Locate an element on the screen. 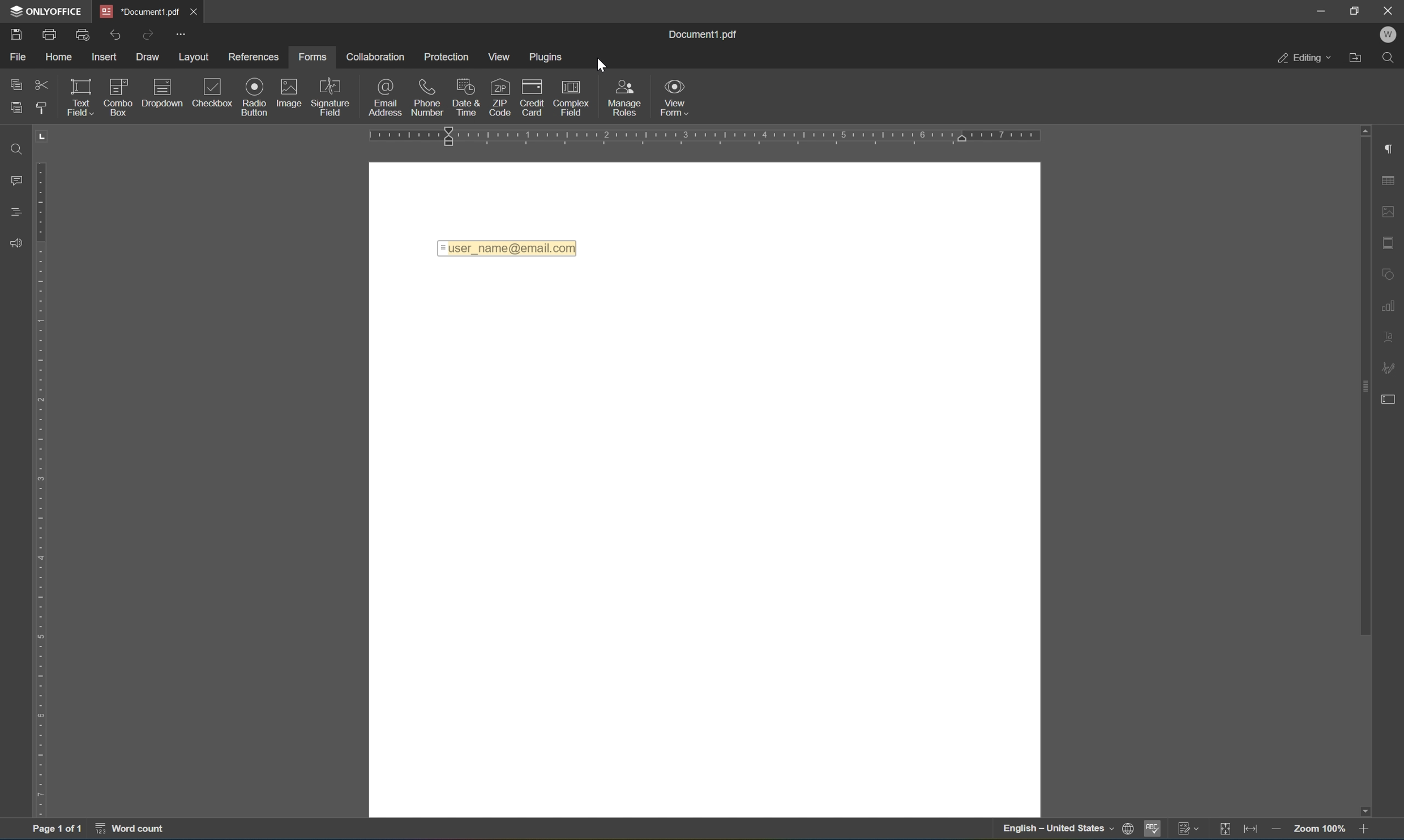  date & time is located at coordinates (465, 87).